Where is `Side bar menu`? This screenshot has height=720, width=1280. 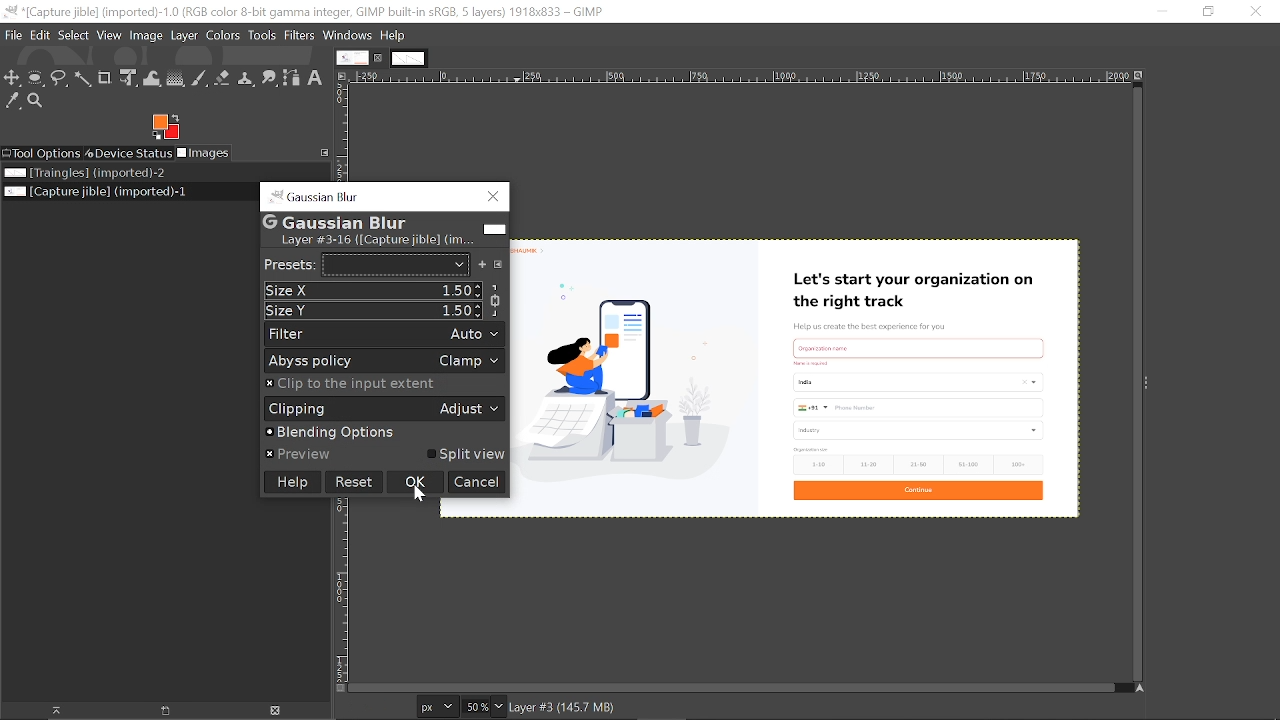 Side bar menu is located at coordinates (1149, 382).